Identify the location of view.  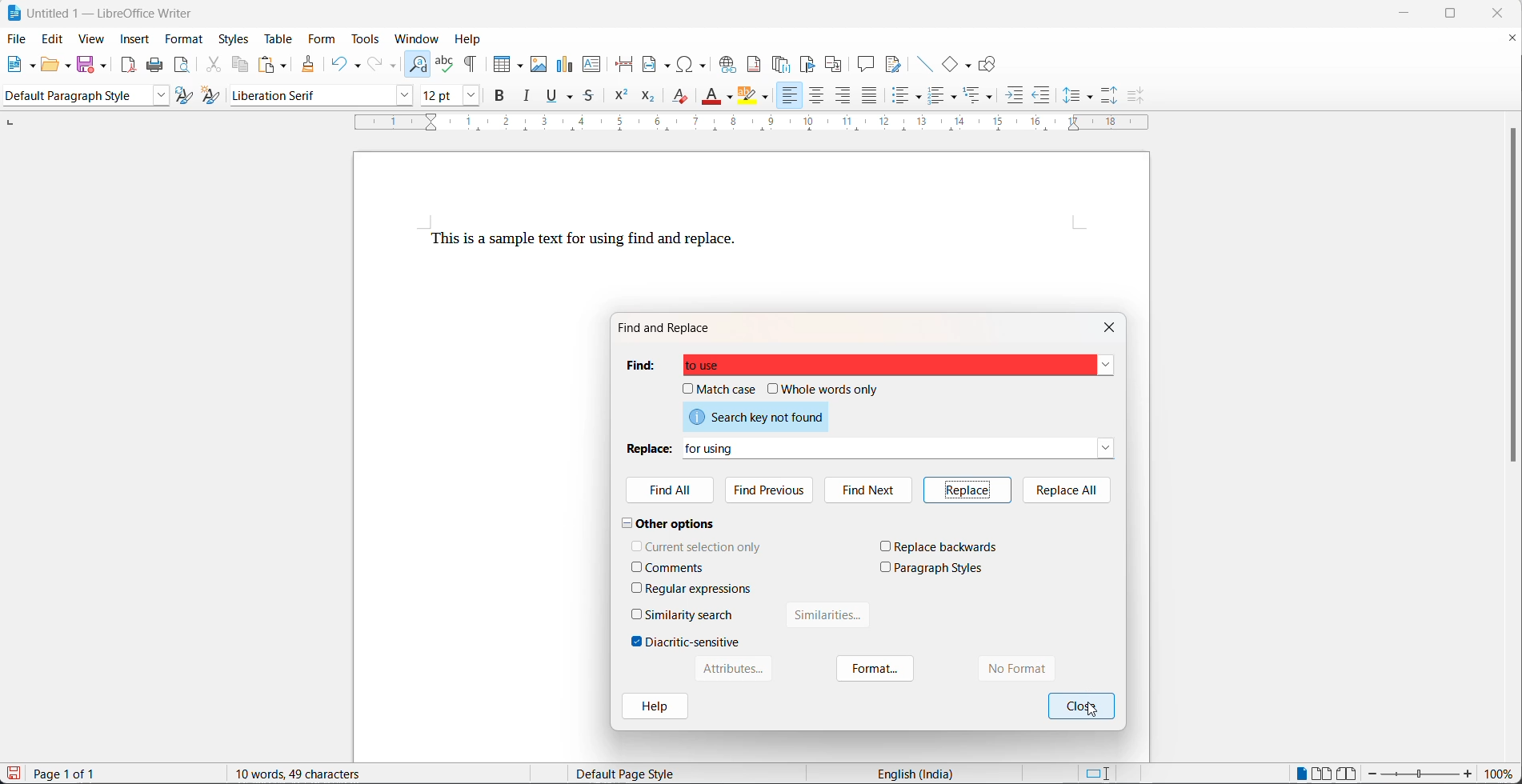
(91, 40).